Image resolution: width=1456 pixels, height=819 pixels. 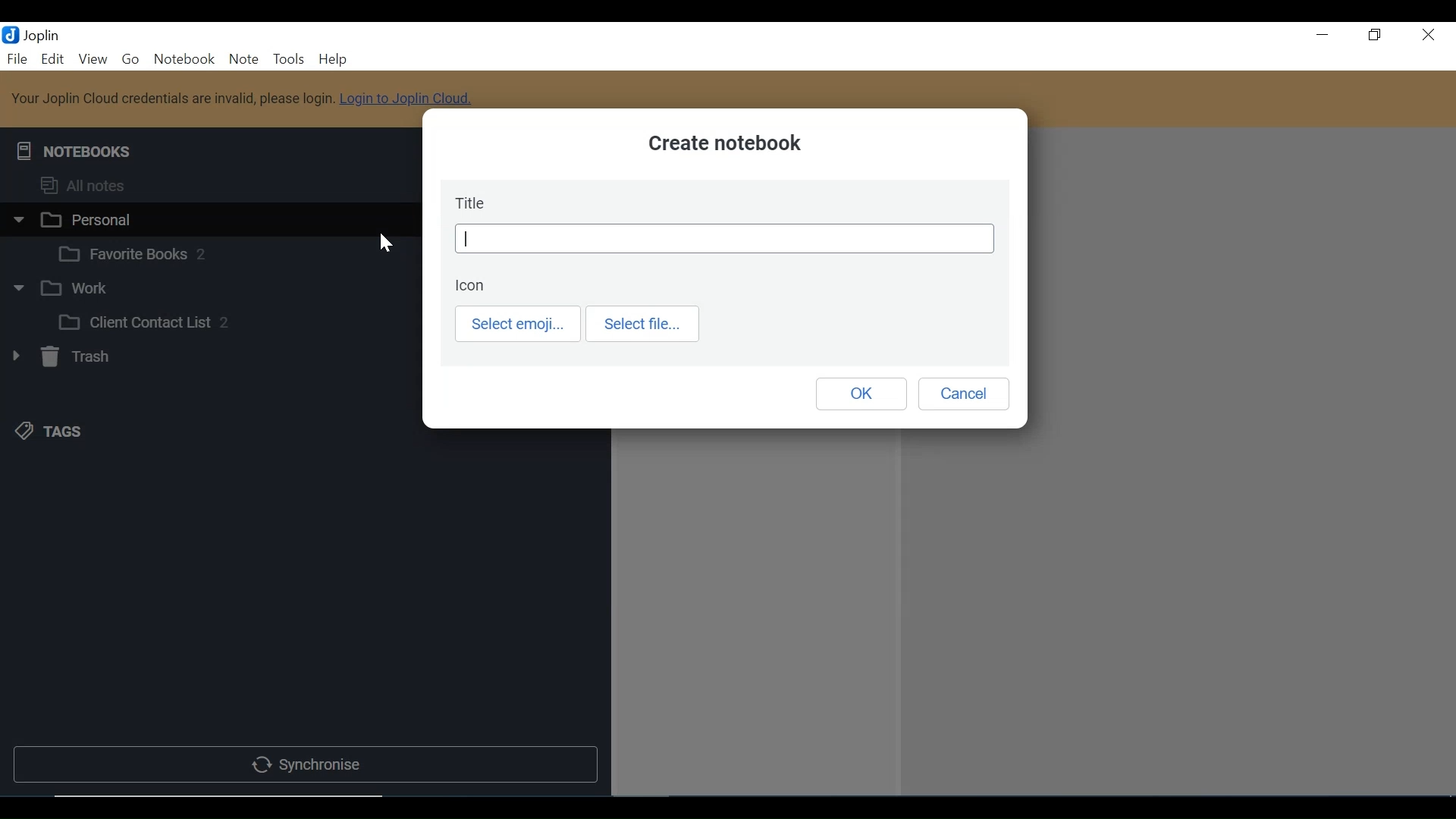 What do you see at coordinates (303, 766) in the screenshot?
I see `Synchronize` at bounding box center [303, 766].